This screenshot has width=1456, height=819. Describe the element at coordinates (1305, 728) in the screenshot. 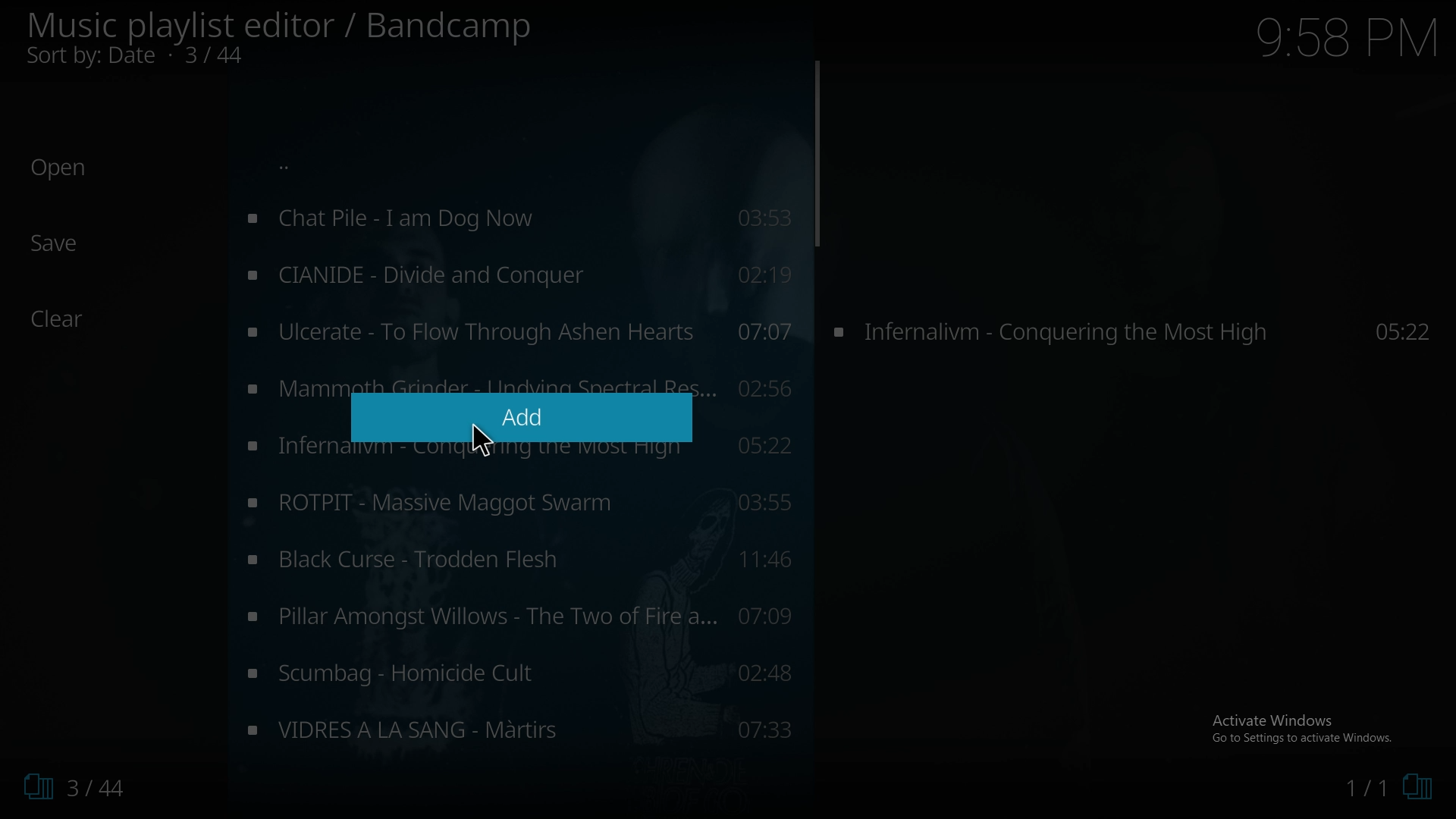

I see `Activate Windows, Go to settings to activate windows` at that location.